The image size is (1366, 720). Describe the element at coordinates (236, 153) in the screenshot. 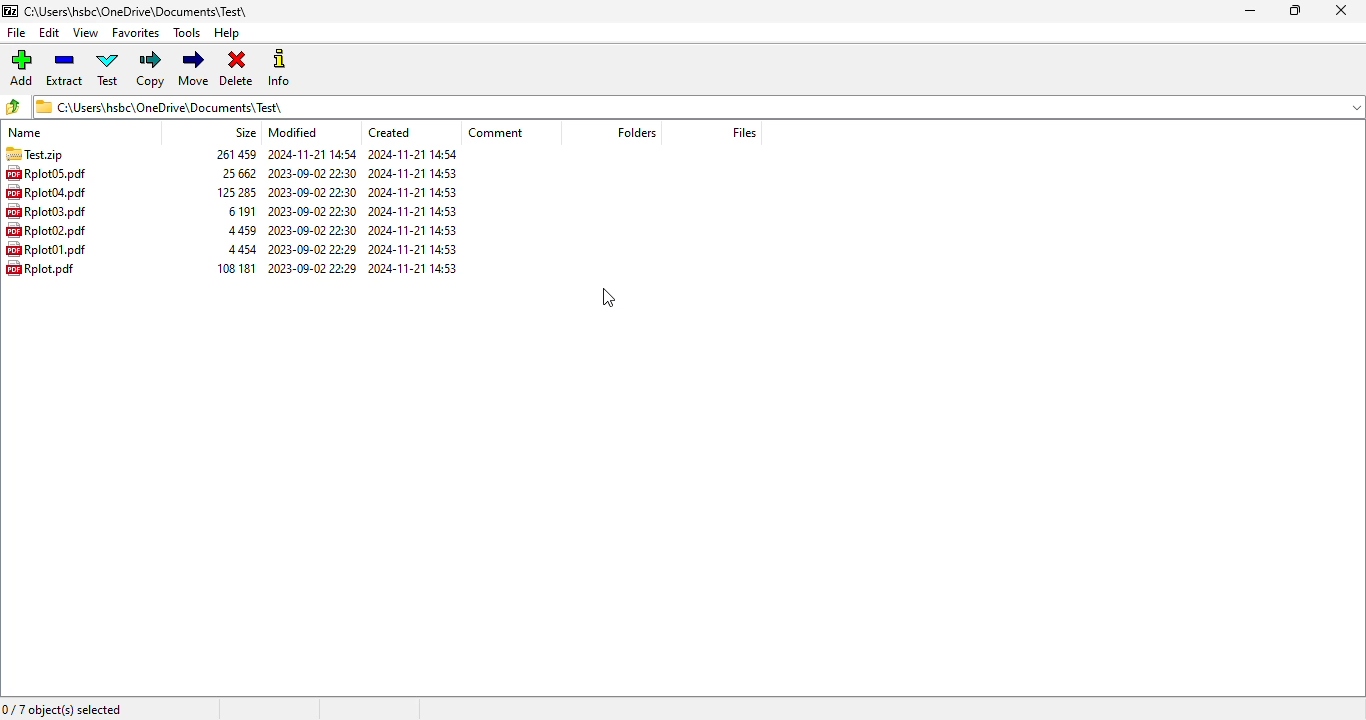

I see `size` at that location.